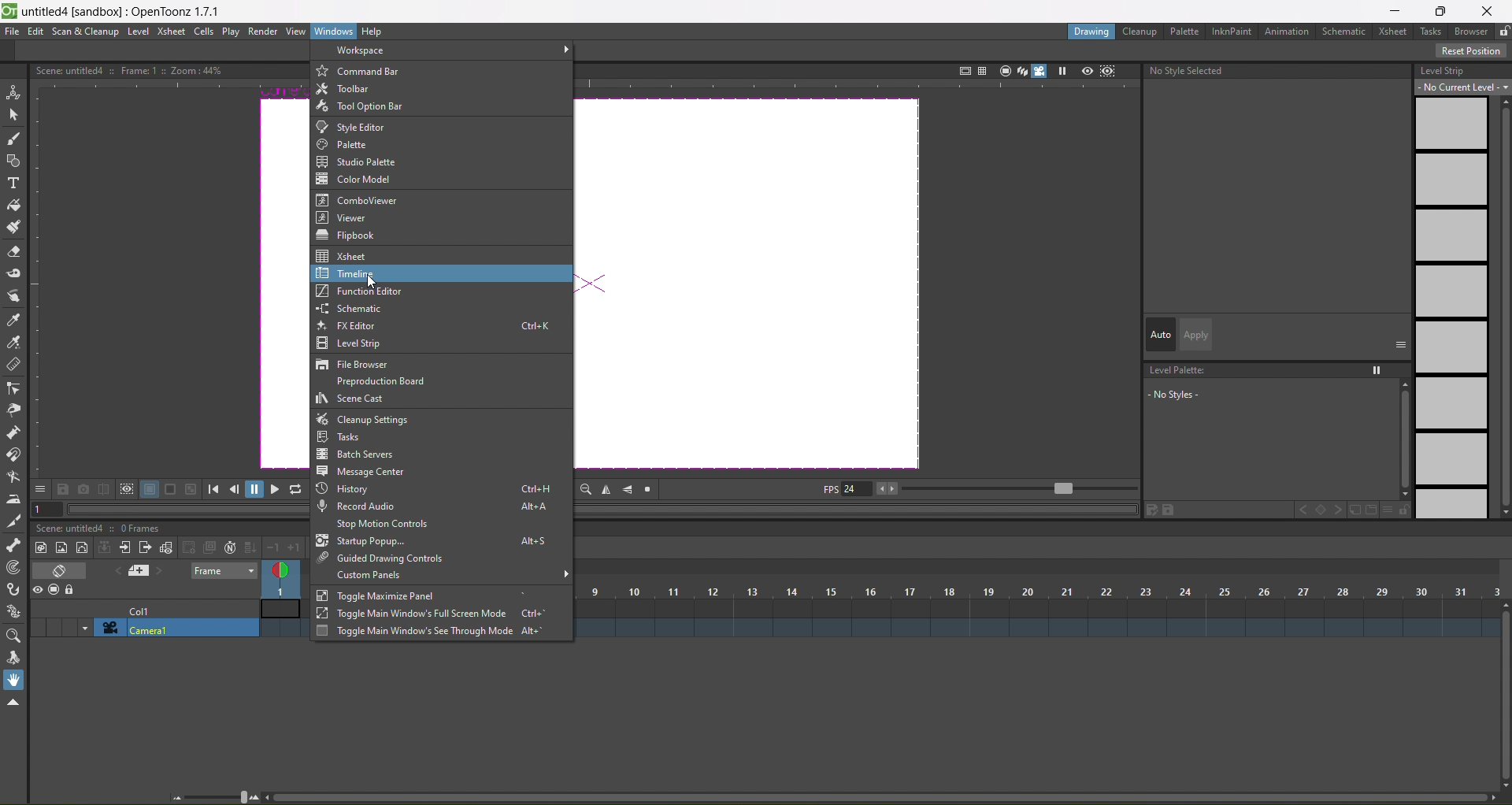 Image resolution: width=1512 pixels, height=805 pixels. Describe the element at coordinates (348, 89) in the screenshot. I see `toolbar` at that location.